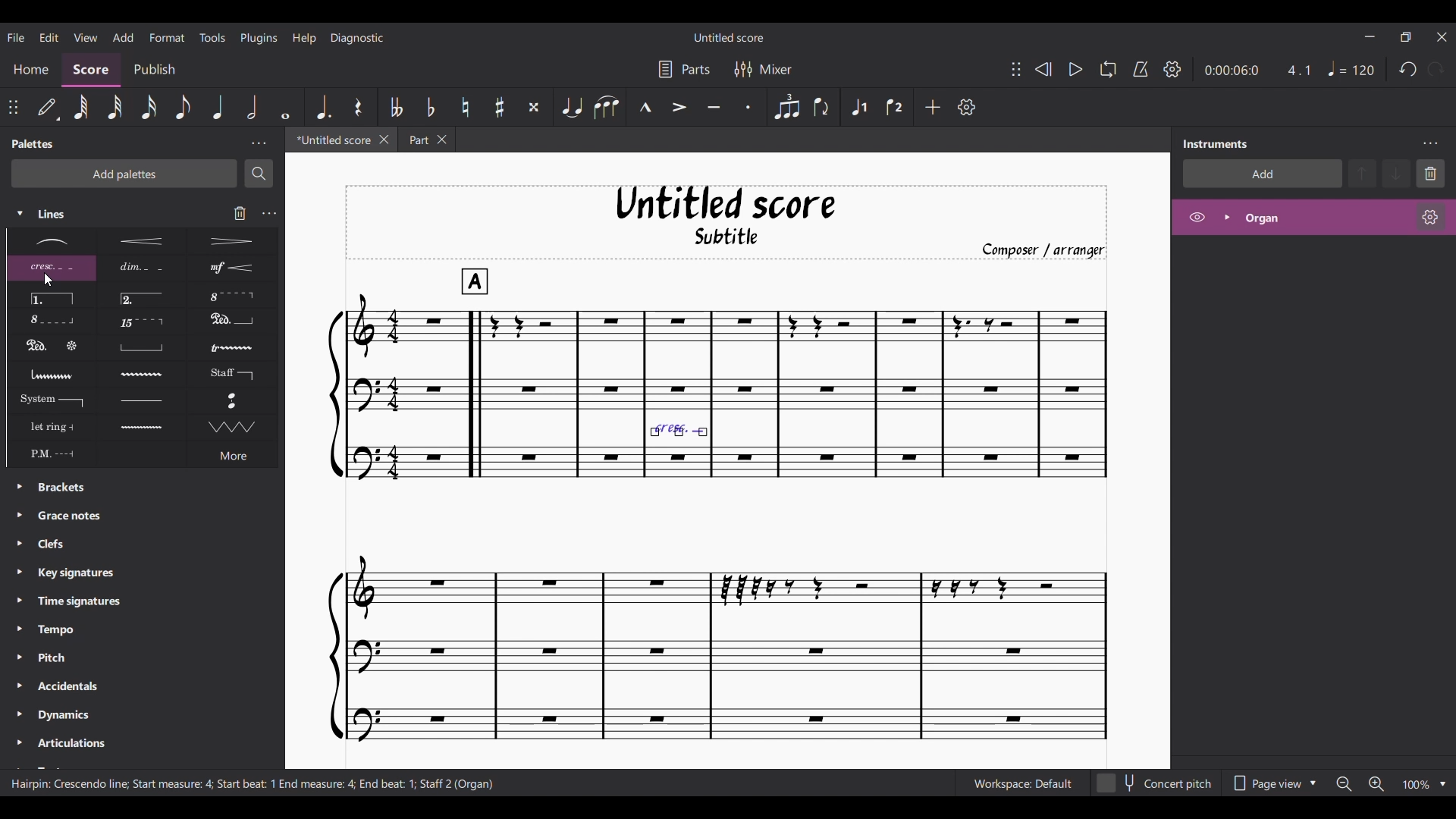  I want to click on Format menu, so click(168, 37).